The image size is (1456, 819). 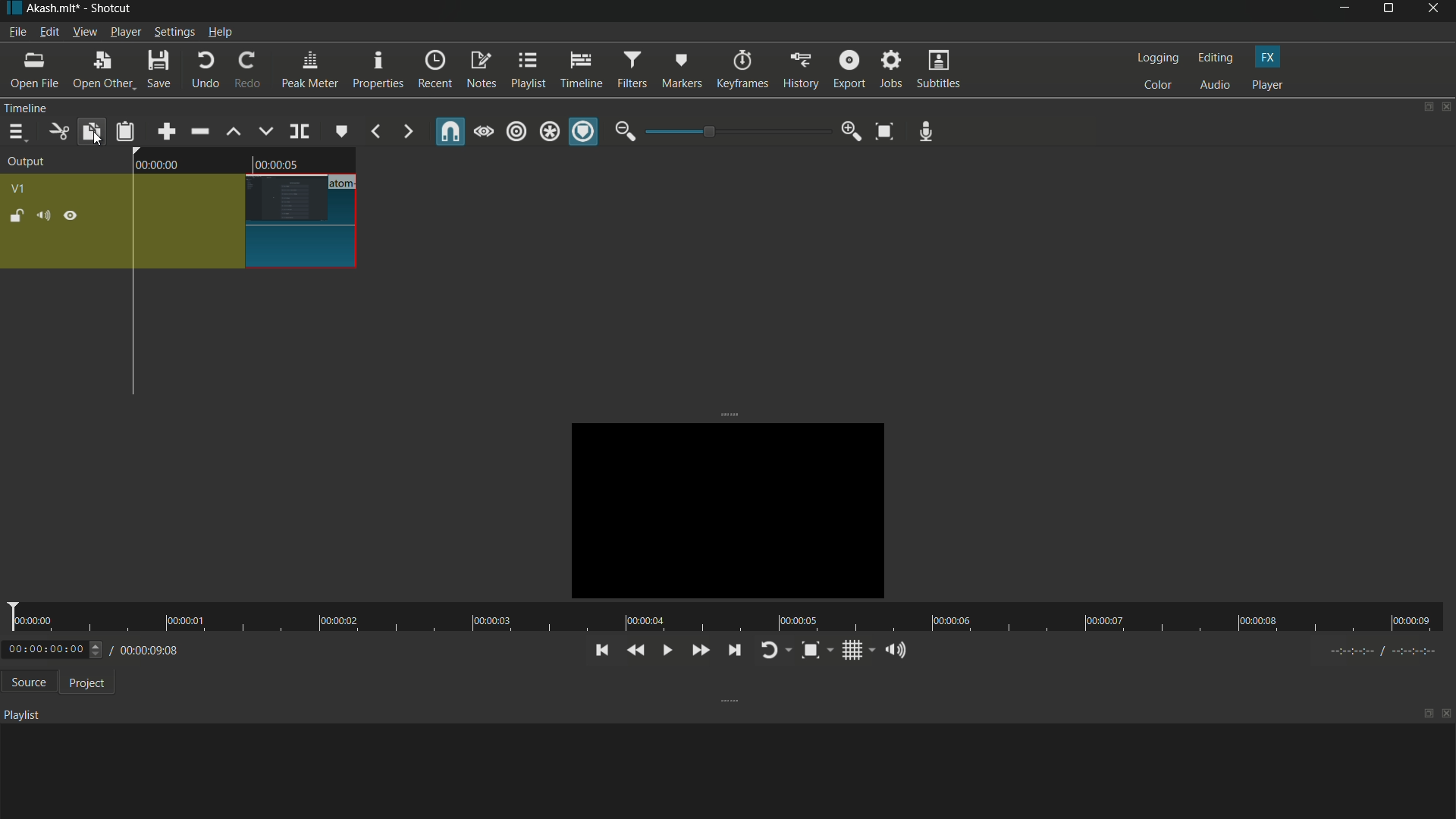 I want to click on filters, so click(x=632, y=69).